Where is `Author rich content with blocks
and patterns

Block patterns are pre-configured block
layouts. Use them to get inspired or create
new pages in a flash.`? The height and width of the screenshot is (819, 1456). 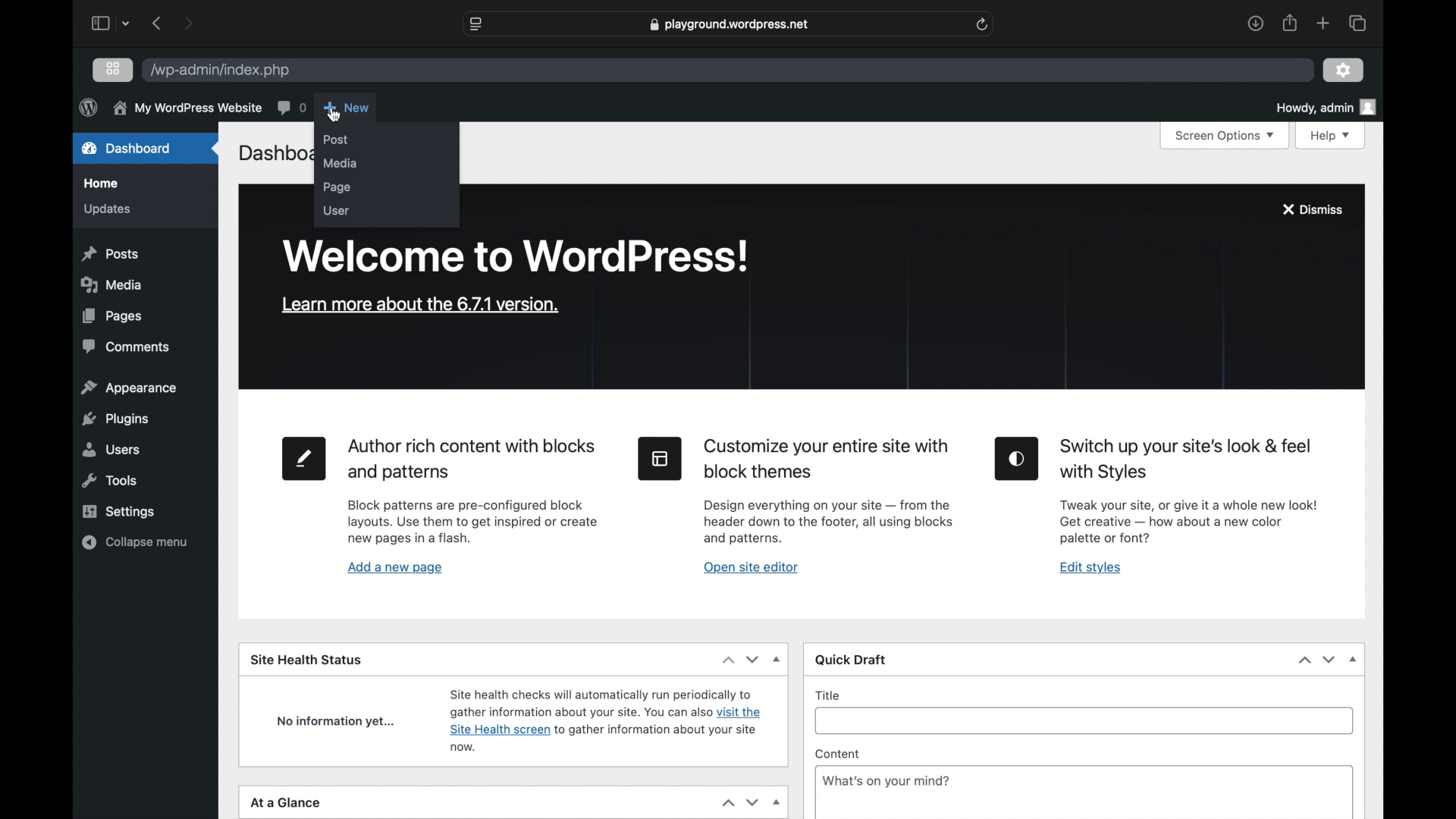
Author rich content with blocks
and patterns

Block patterns are pre-configured block
layouts. Use them to get inspired or create
new pages in a flash. is located at coordinates (473, 491).